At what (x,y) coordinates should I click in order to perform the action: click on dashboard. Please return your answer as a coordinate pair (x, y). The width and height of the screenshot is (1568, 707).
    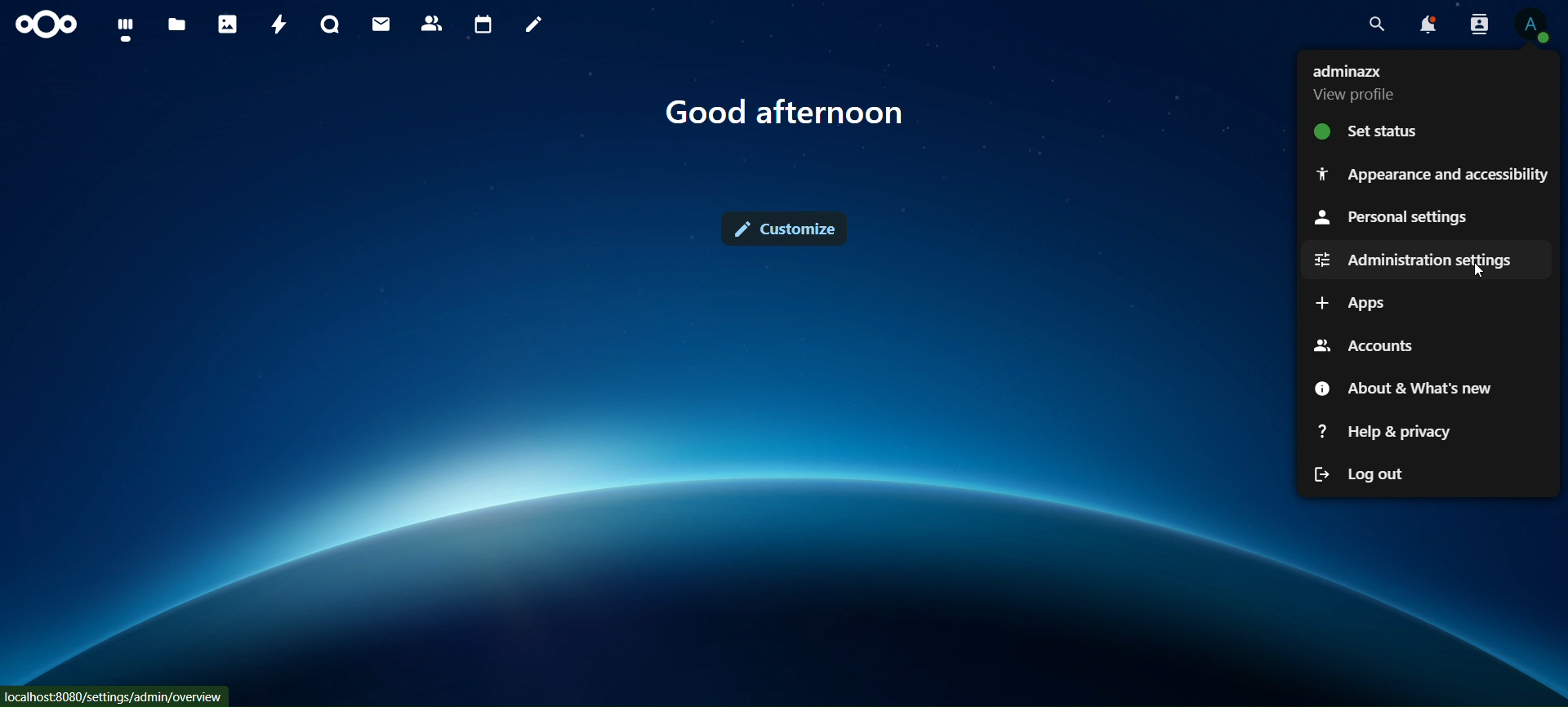
    Looking at the image, I should click on (127, 27).